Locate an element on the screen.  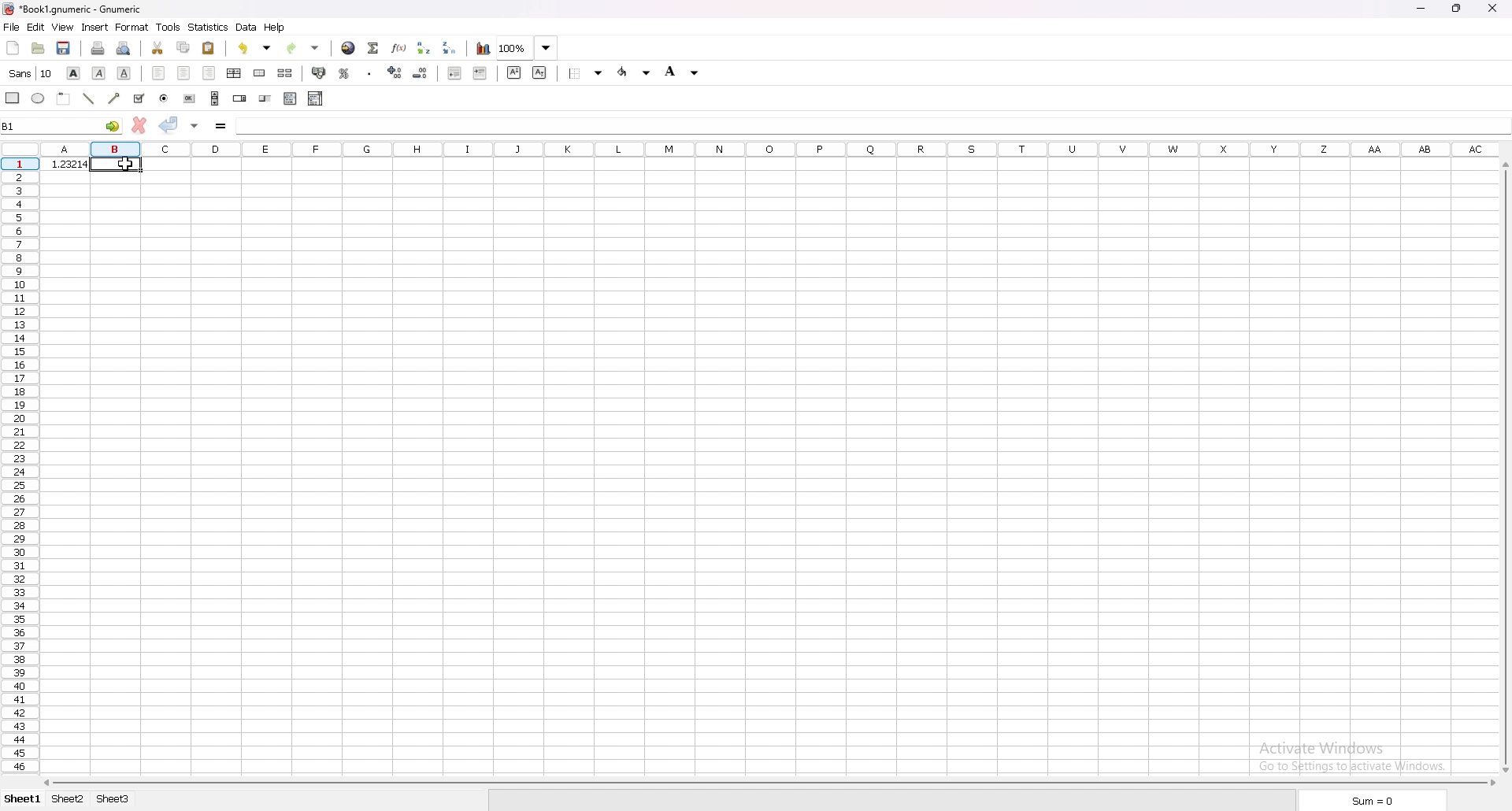
cursor is located at coordinates (131, 162).